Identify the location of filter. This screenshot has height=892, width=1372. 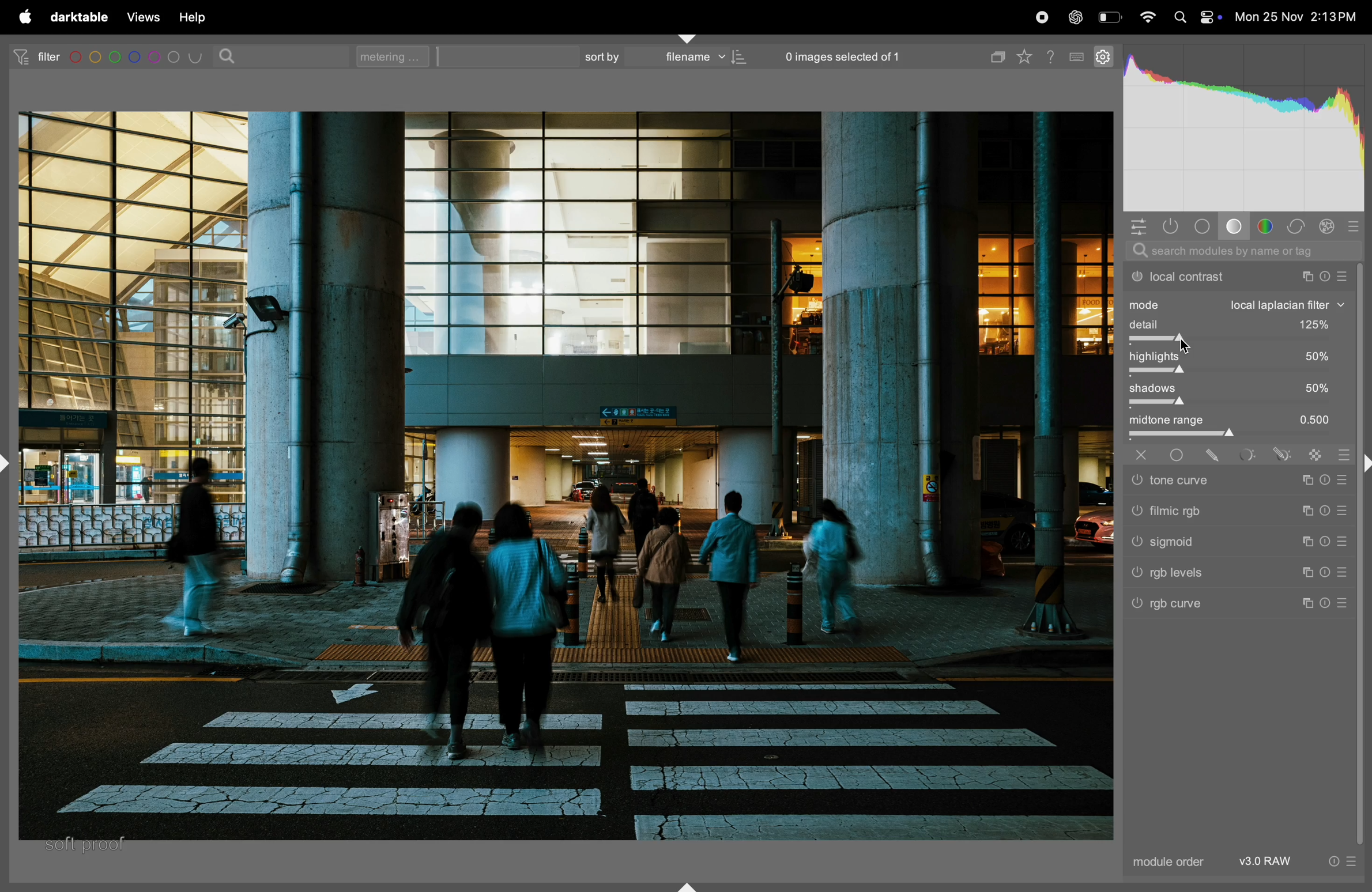
(32, 56).